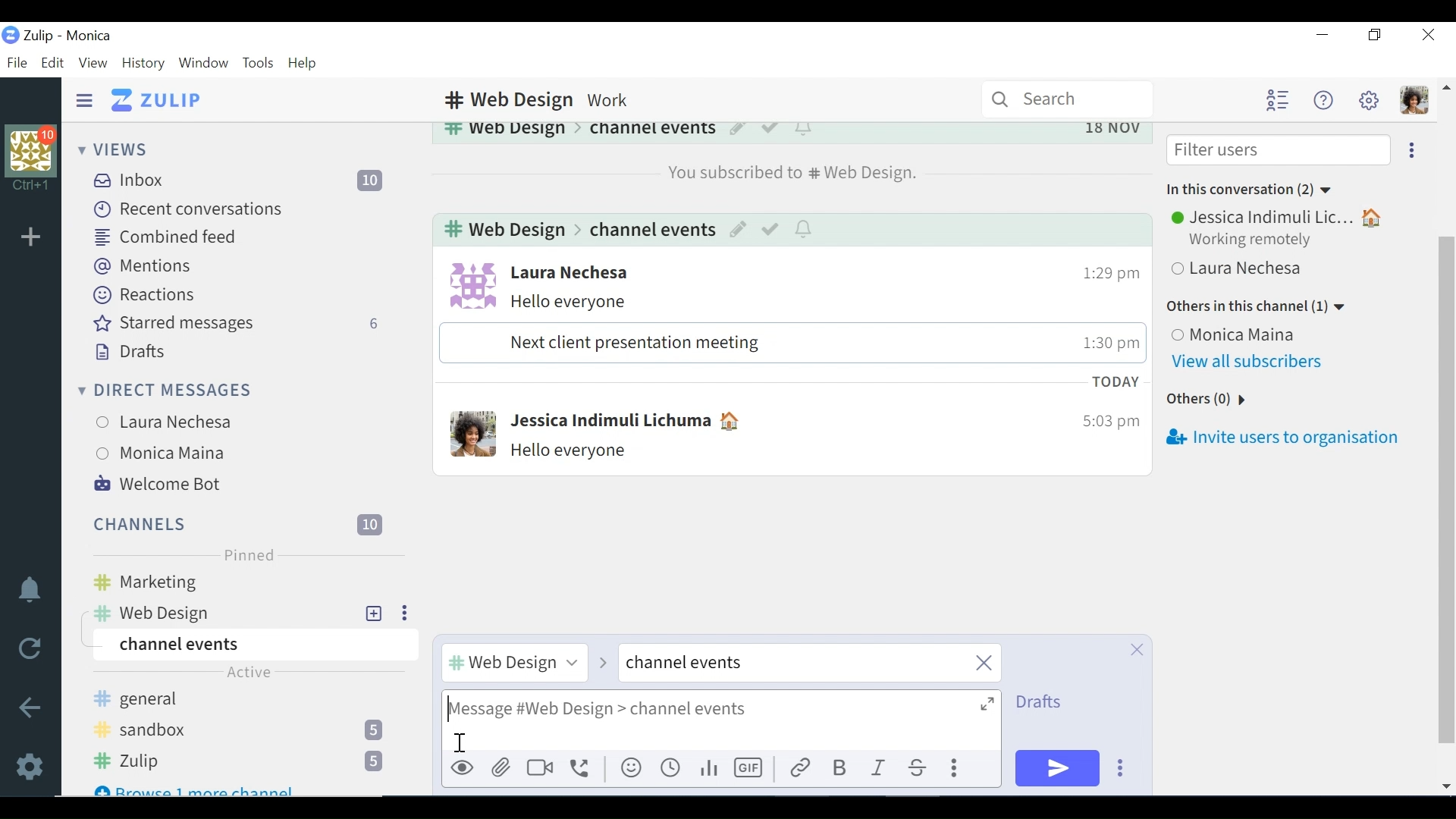 Image resolution: width=1456 pixels, height=819 pixels. I want to click on Compose message (Hello everyone), so click(721, 720).